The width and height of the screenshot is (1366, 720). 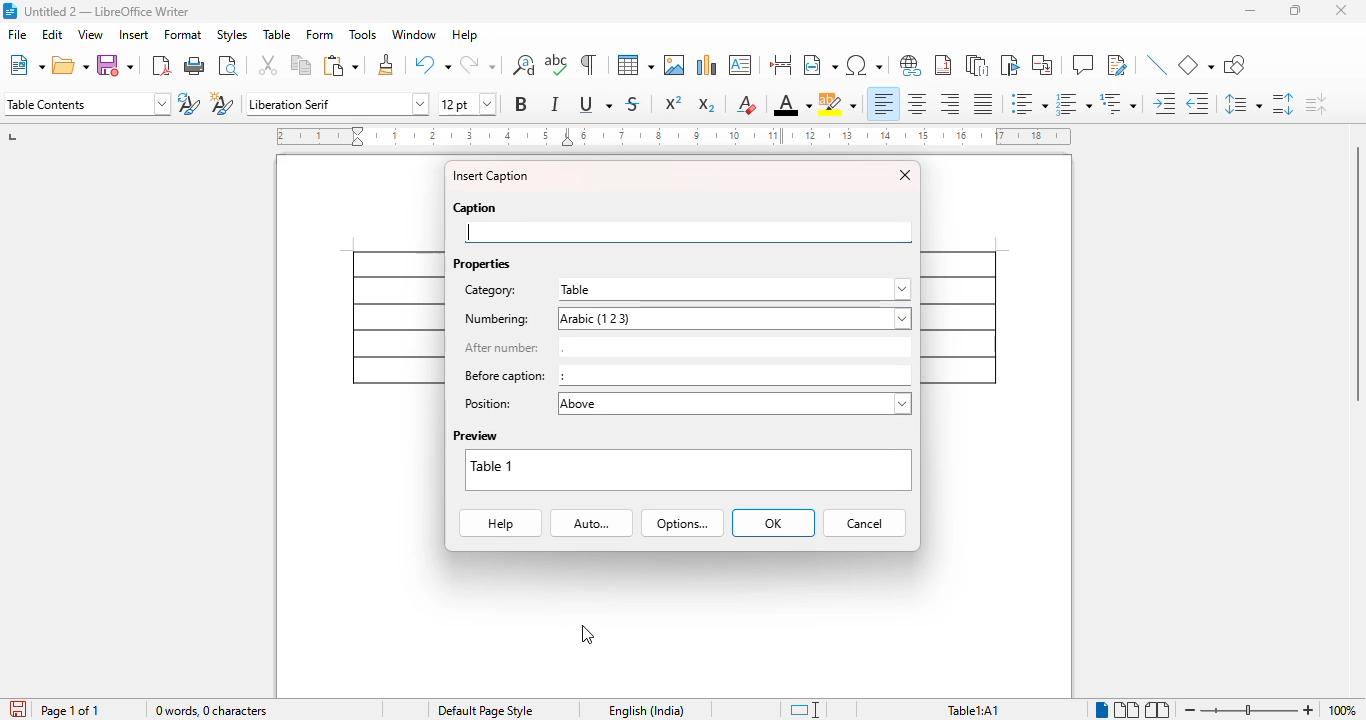 I want to click on before caption:  :, so click(x=685, y=375).